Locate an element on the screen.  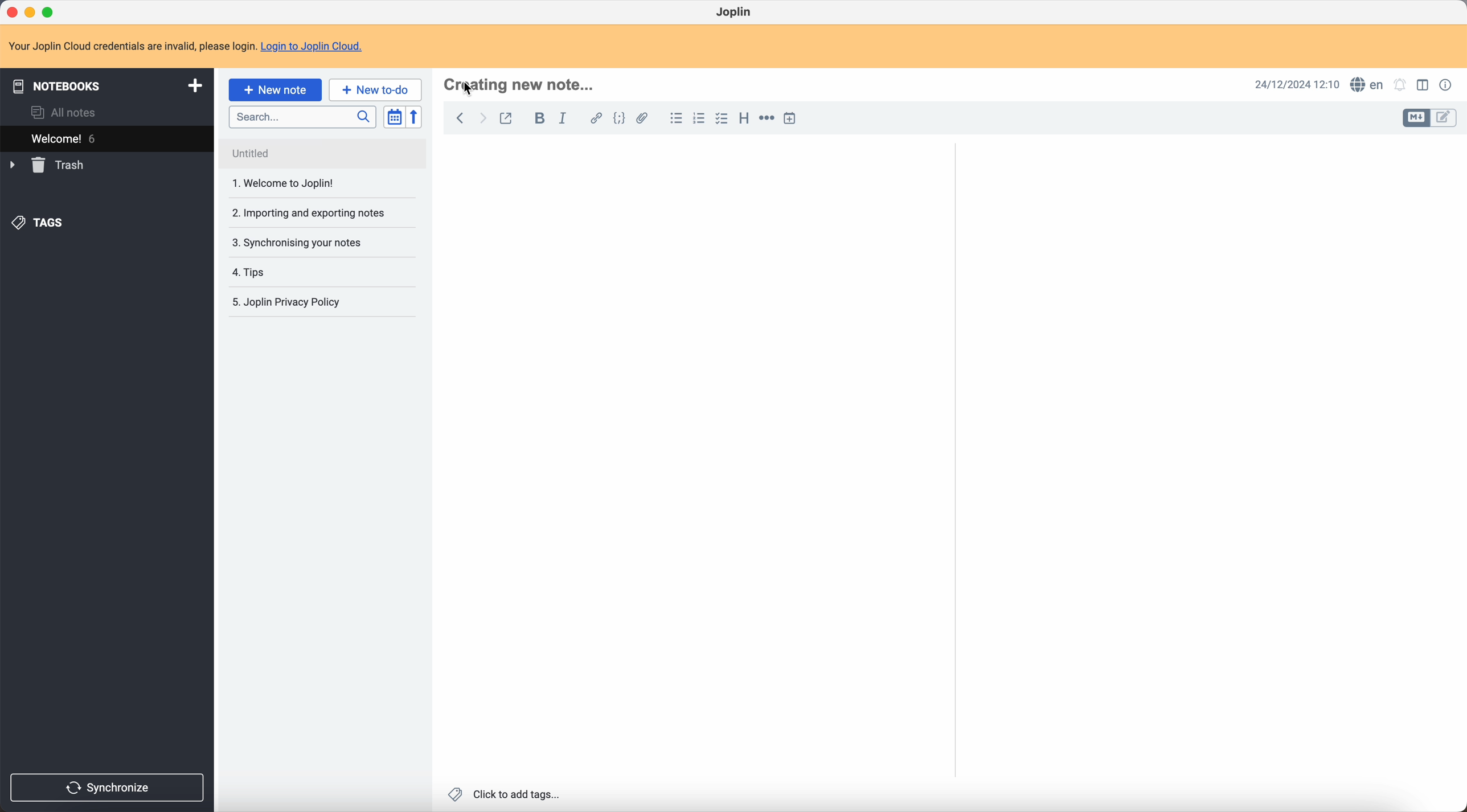
attach file is located at coordinates (645, 118).